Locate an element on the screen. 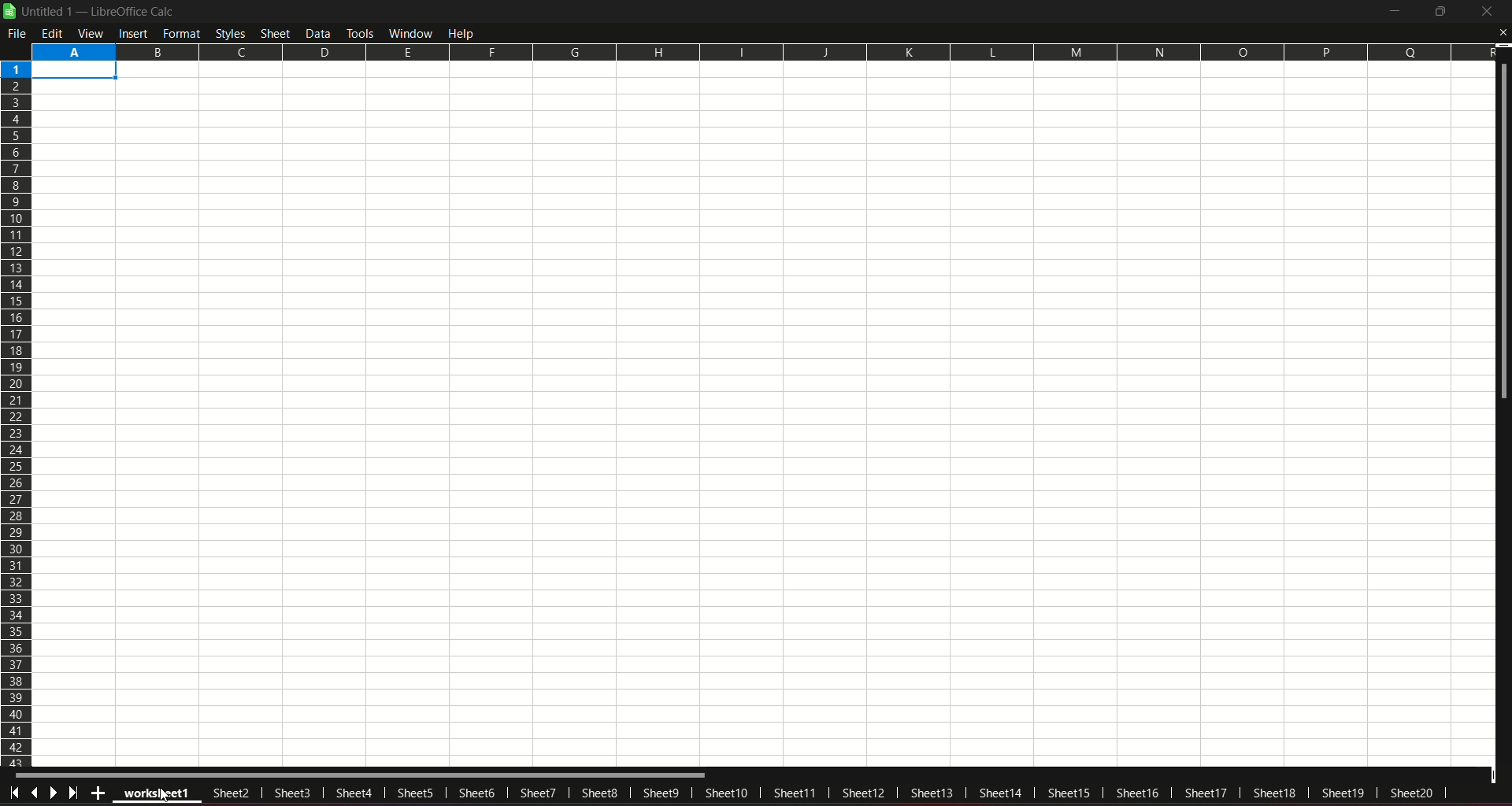 The height and width of the screenshot is (806, 1512). sheet8 is located at coordinates (600, 793).